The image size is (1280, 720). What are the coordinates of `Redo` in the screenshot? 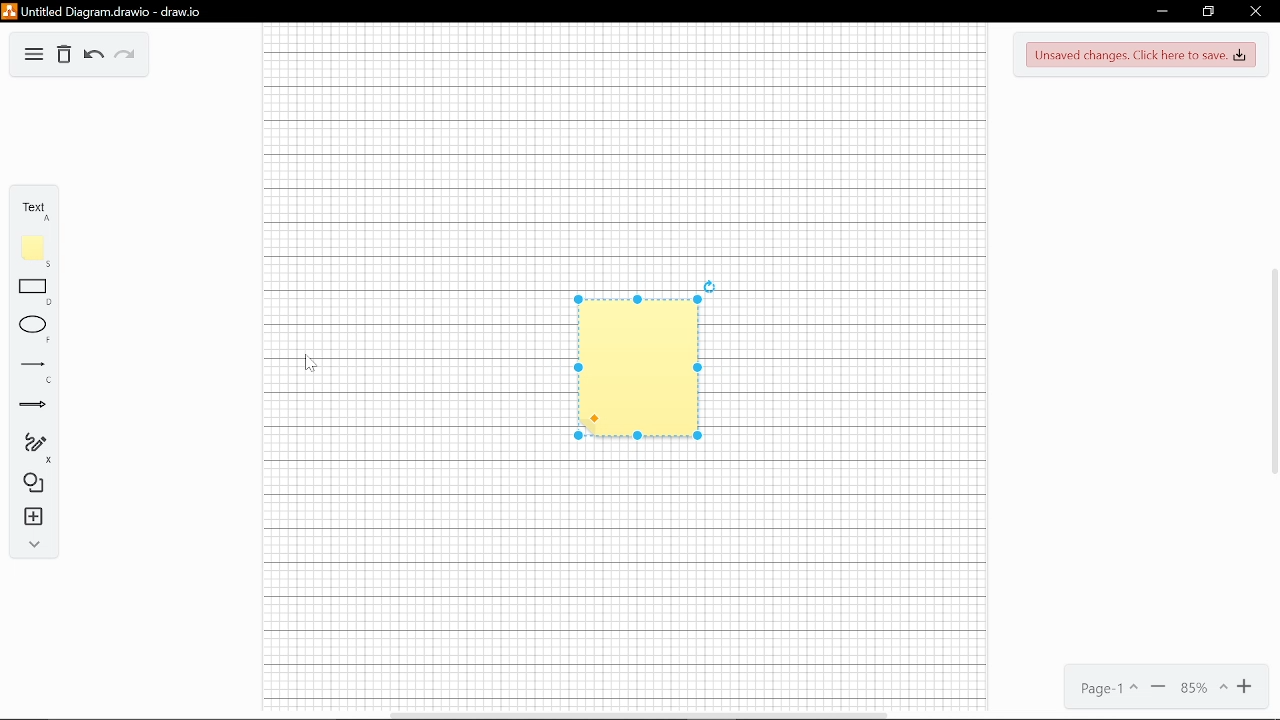 It's located at (126, 56).